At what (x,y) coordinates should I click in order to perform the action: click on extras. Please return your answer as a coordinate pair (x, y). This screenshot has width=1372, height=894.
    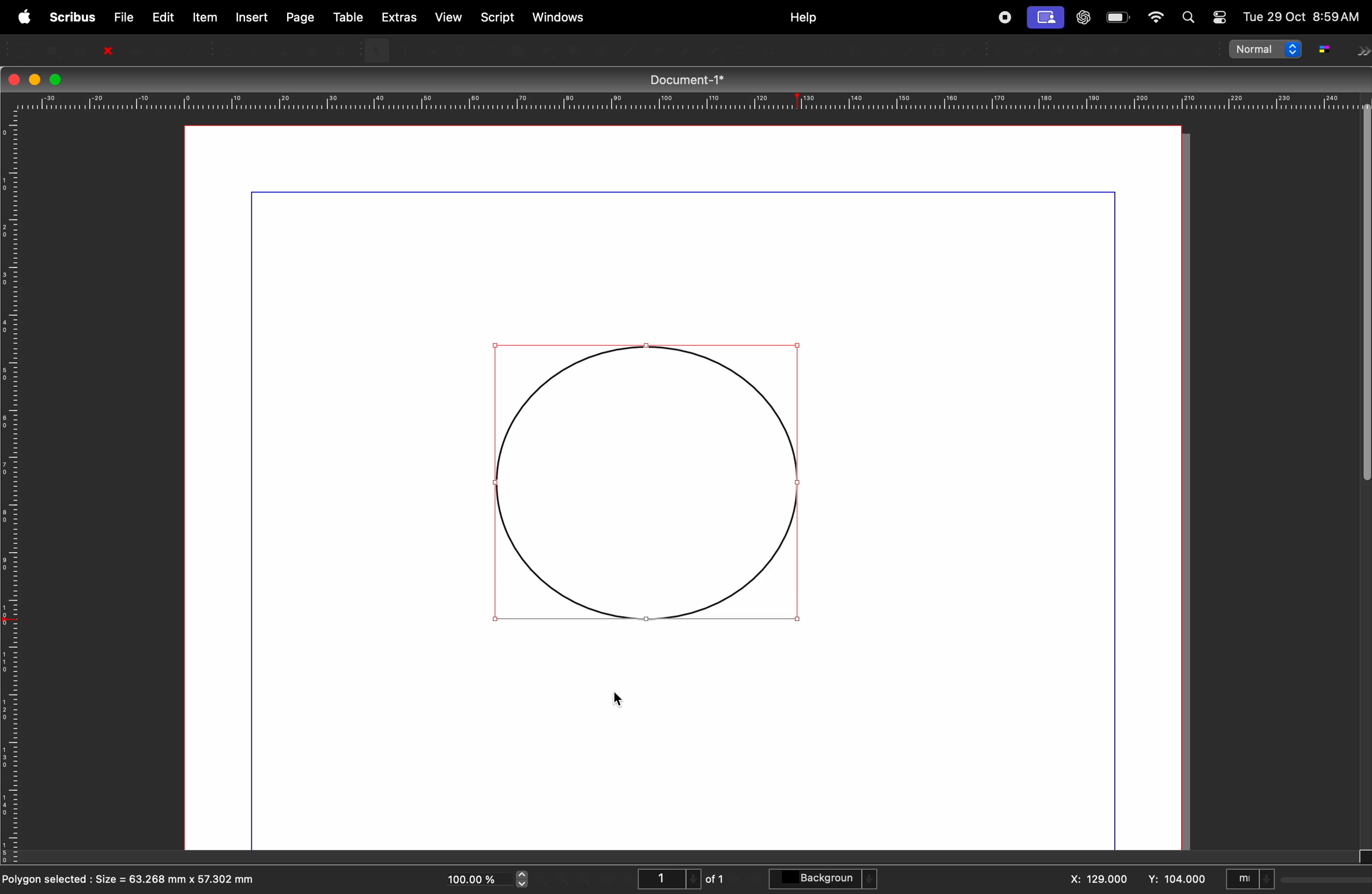
    Looking at the image, I should click on (400, 17).